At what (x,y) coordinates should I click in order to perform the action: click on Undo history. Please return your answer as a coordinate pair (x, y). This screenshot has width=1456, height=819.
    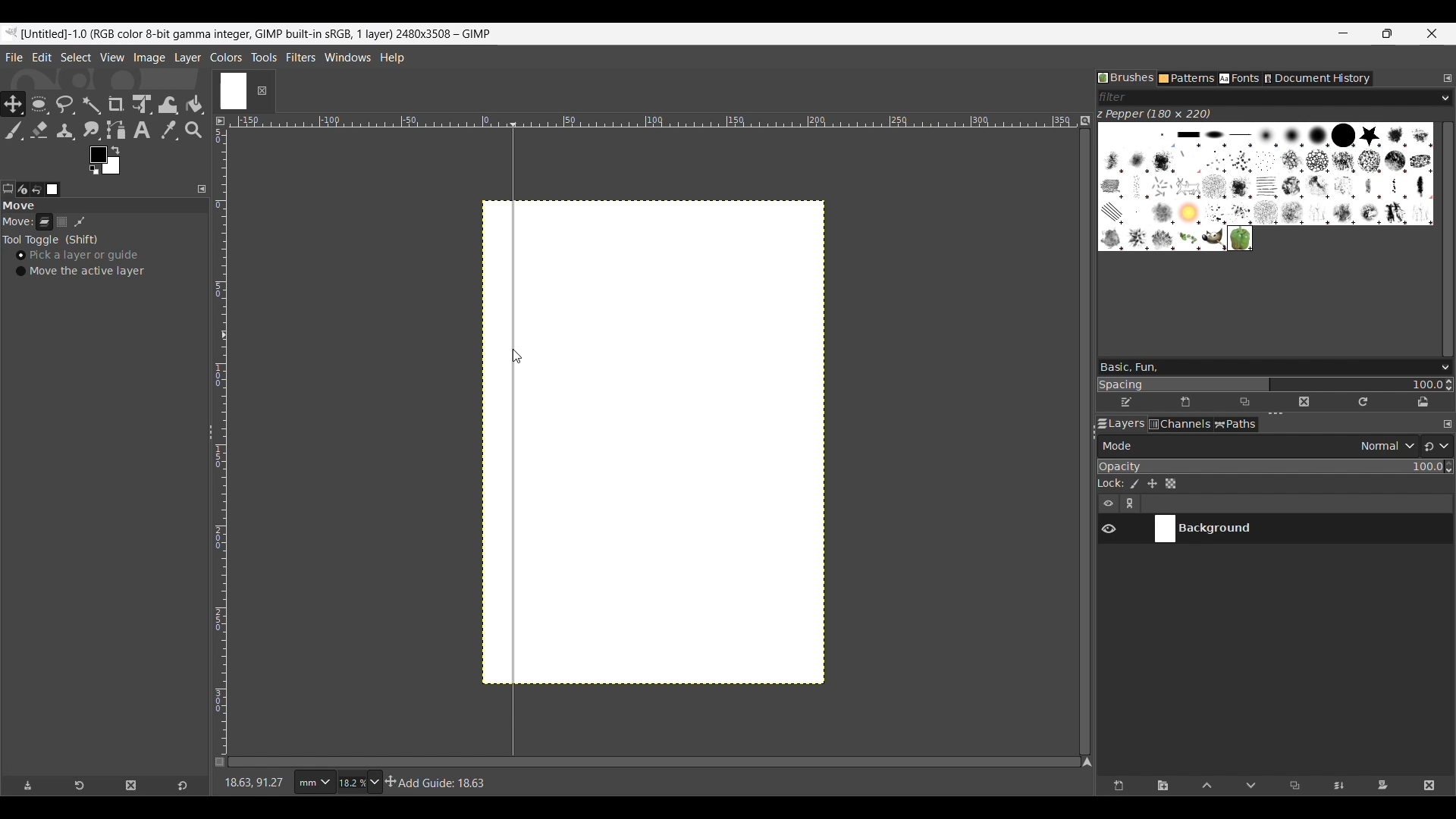
    Looking at the image, I should click on (39, 190).